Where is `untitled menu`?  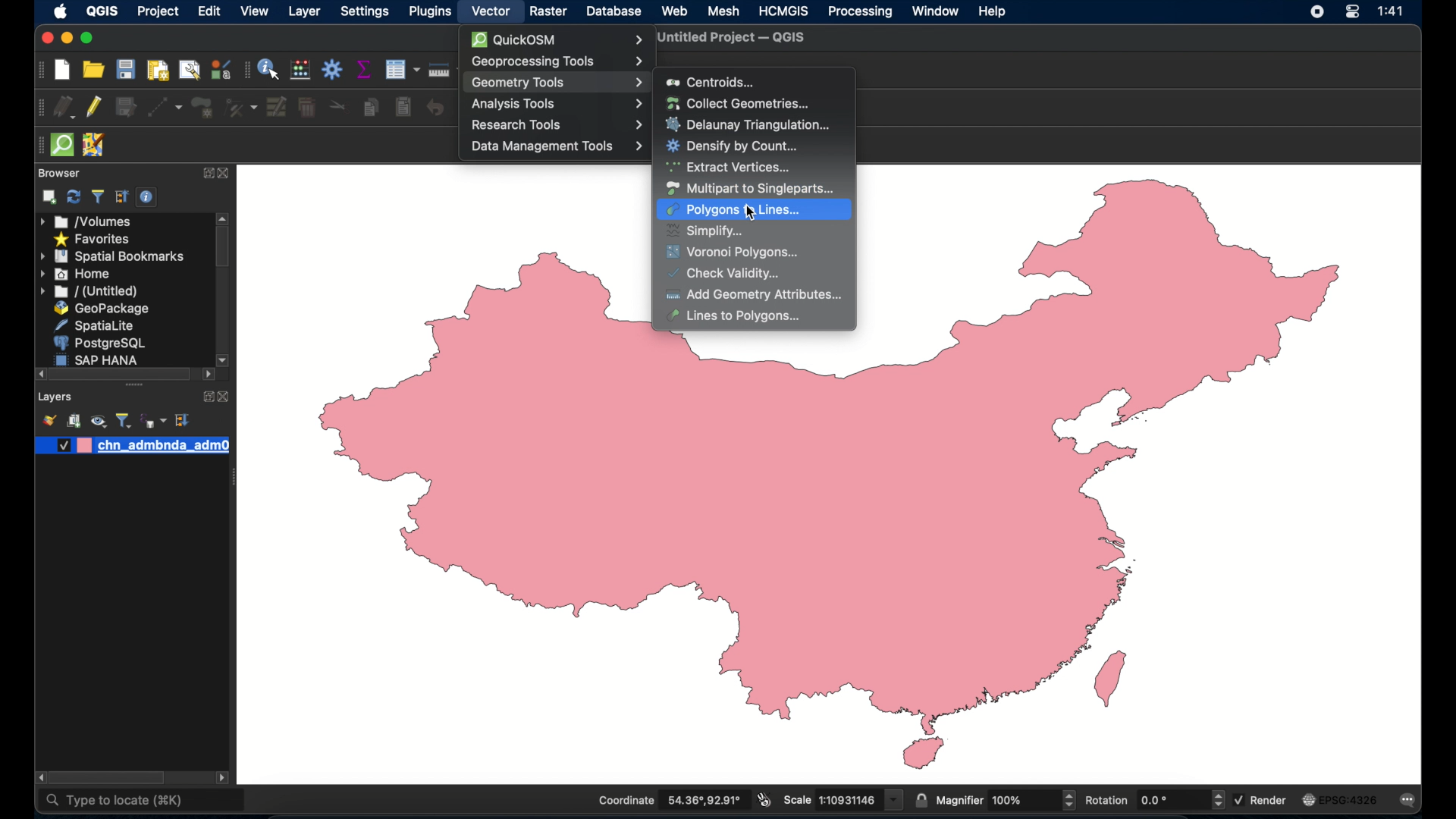 untitled menu is located at coordinates (89, 292).